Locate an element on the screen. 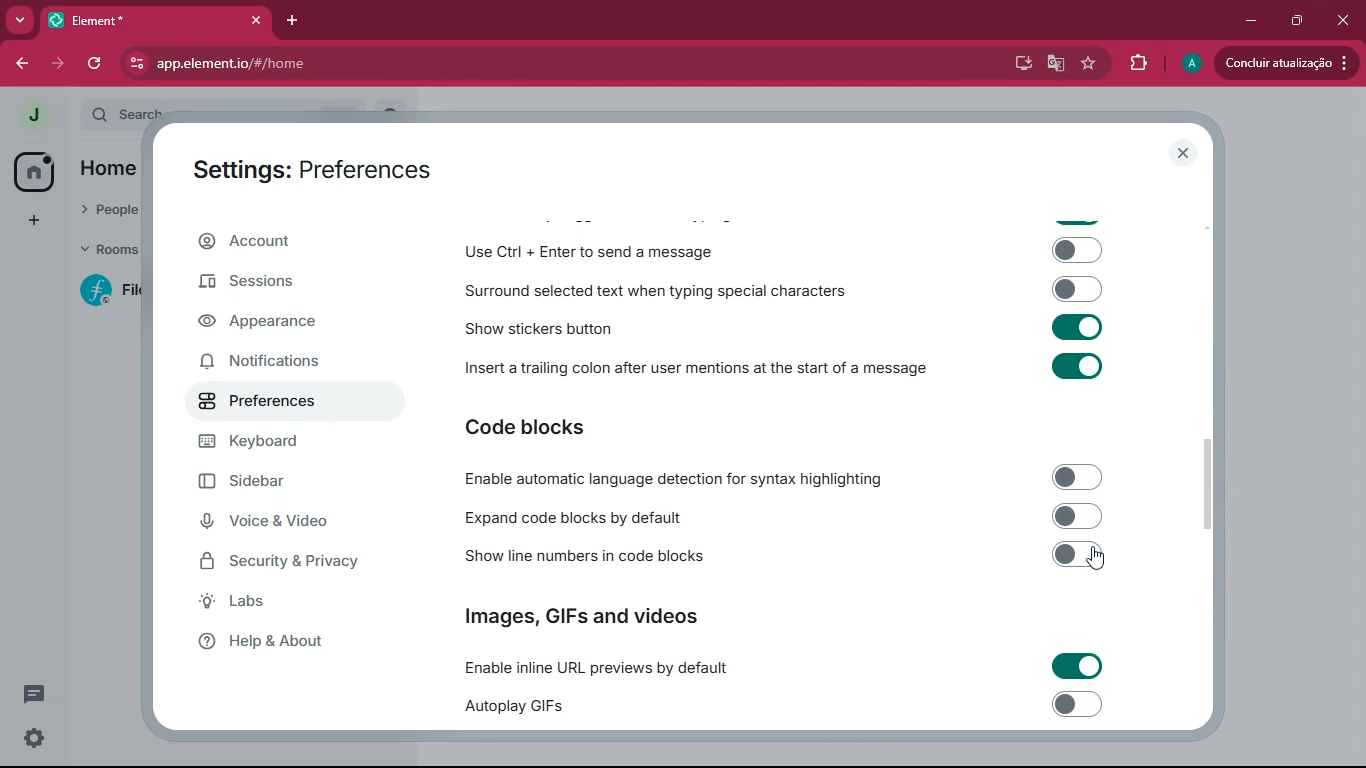  close is located at coordinates (1185, 154).